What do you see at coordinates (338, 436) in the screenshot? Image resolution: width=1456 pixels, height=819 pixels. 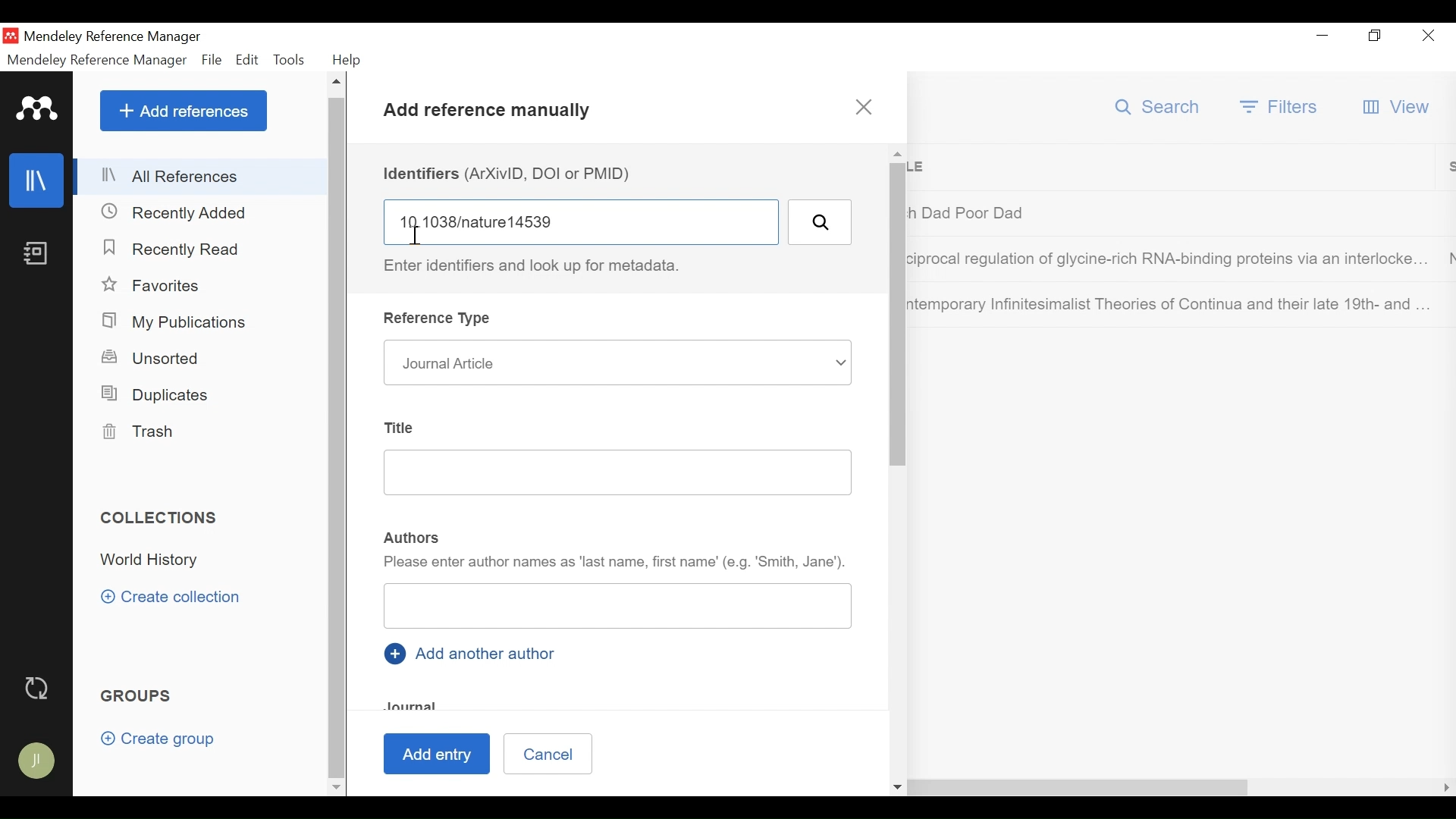 I see `Vertical Scroll bar` at bounding box center [338, 436].